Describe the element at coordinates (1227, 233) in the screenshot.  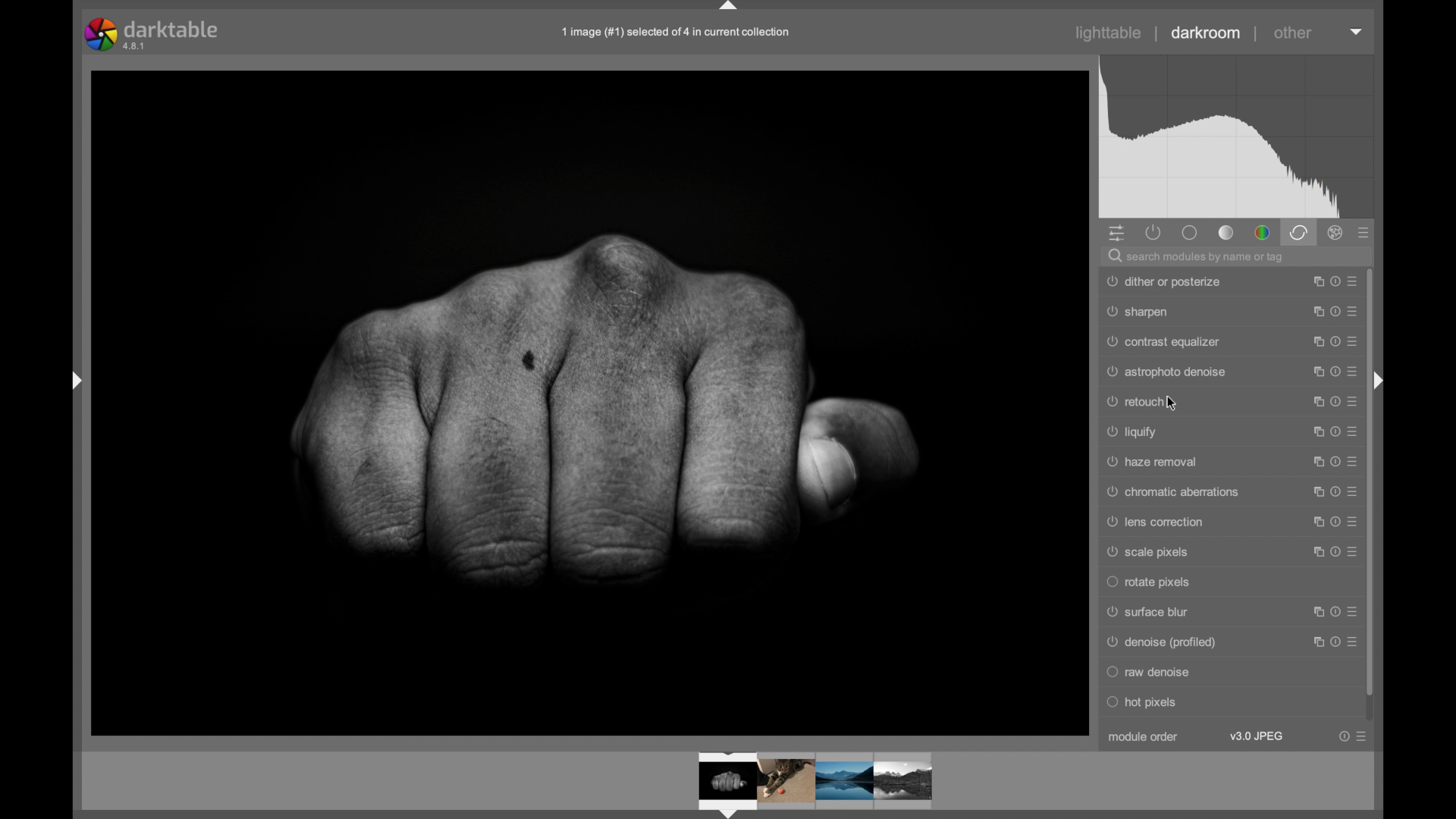
I see `tone` at that location.